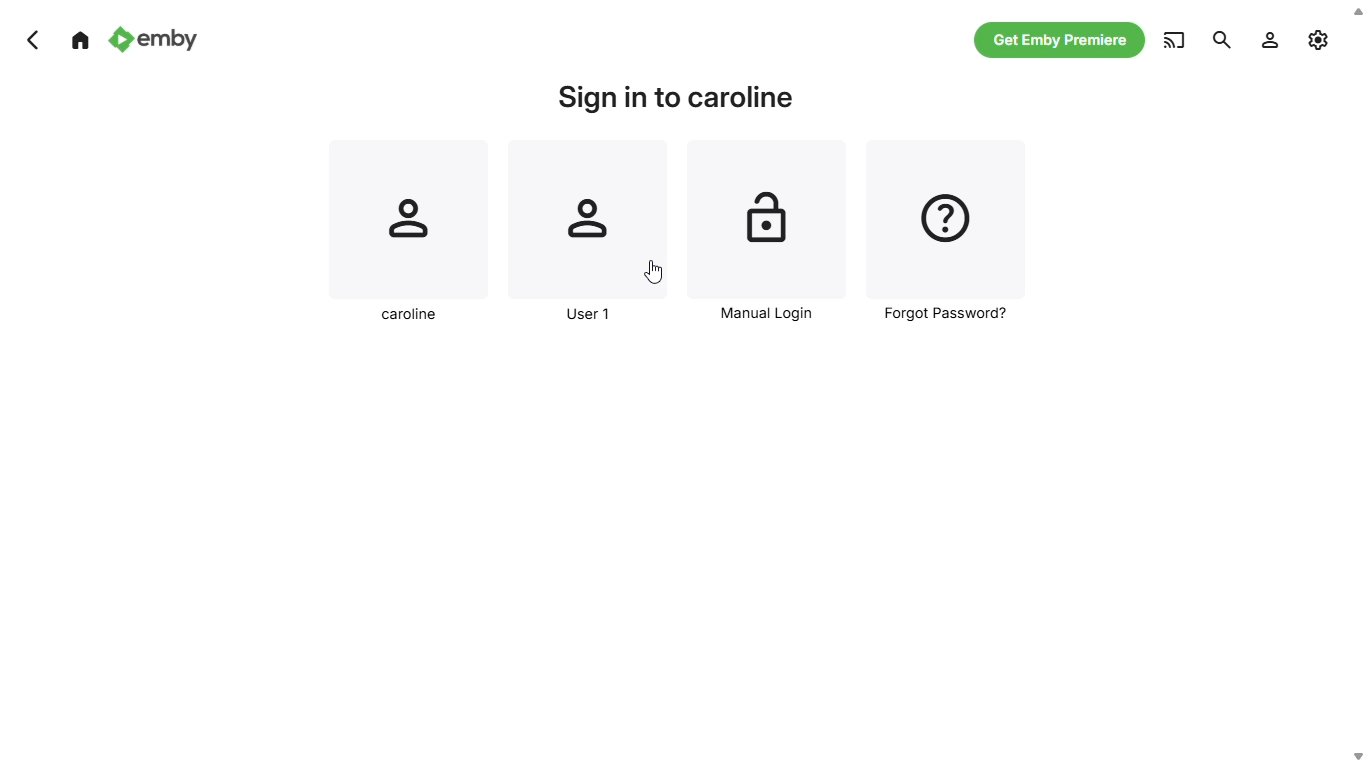 This screenshot has width=1366, height=768. What do you see at coordinates (80, 40) in the screenshot?
I see `home` at bounding box center [80, 40].